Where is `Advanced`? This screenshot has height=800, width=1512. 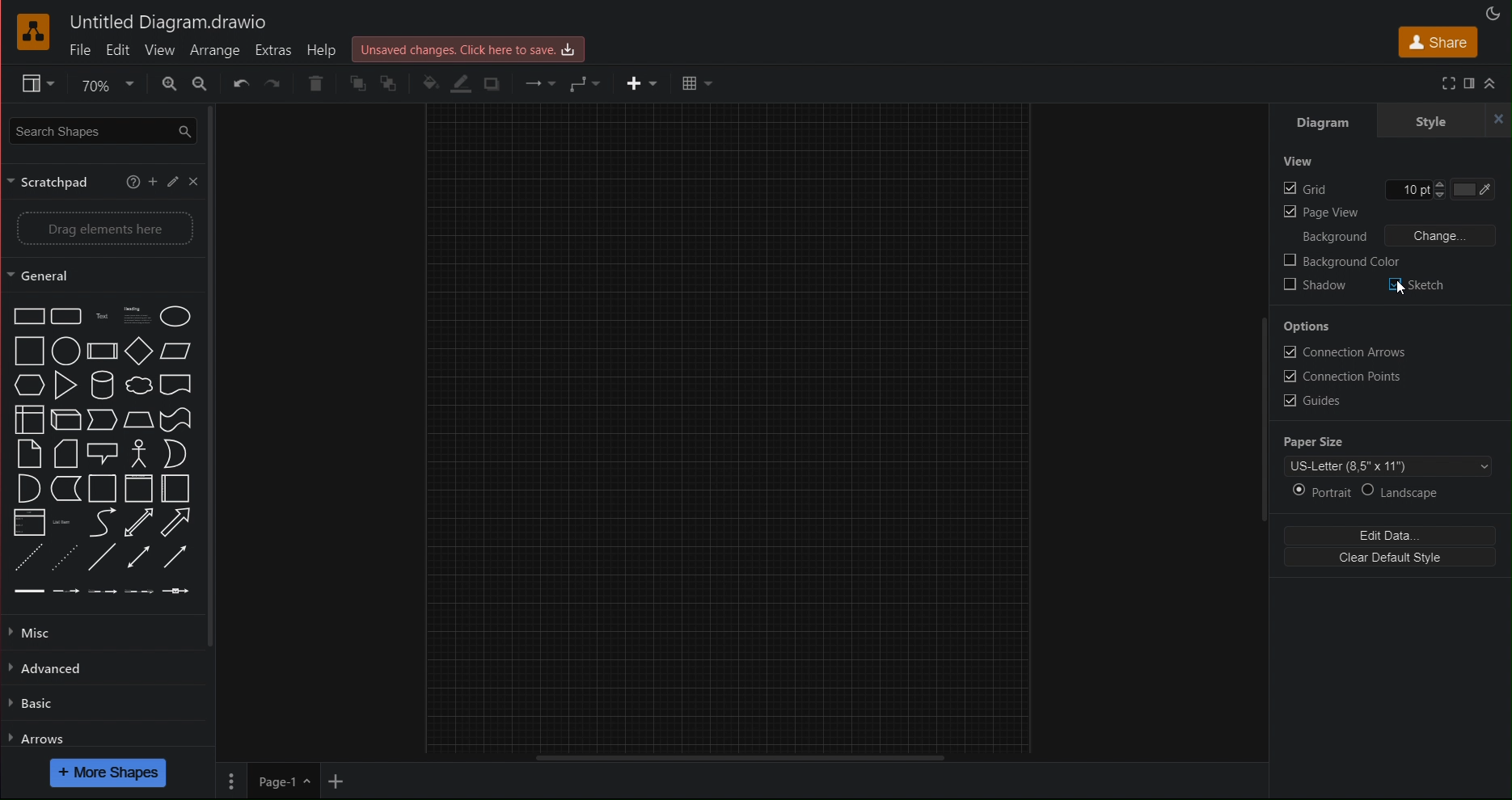 Advanced is located at coordinates (97, 667).